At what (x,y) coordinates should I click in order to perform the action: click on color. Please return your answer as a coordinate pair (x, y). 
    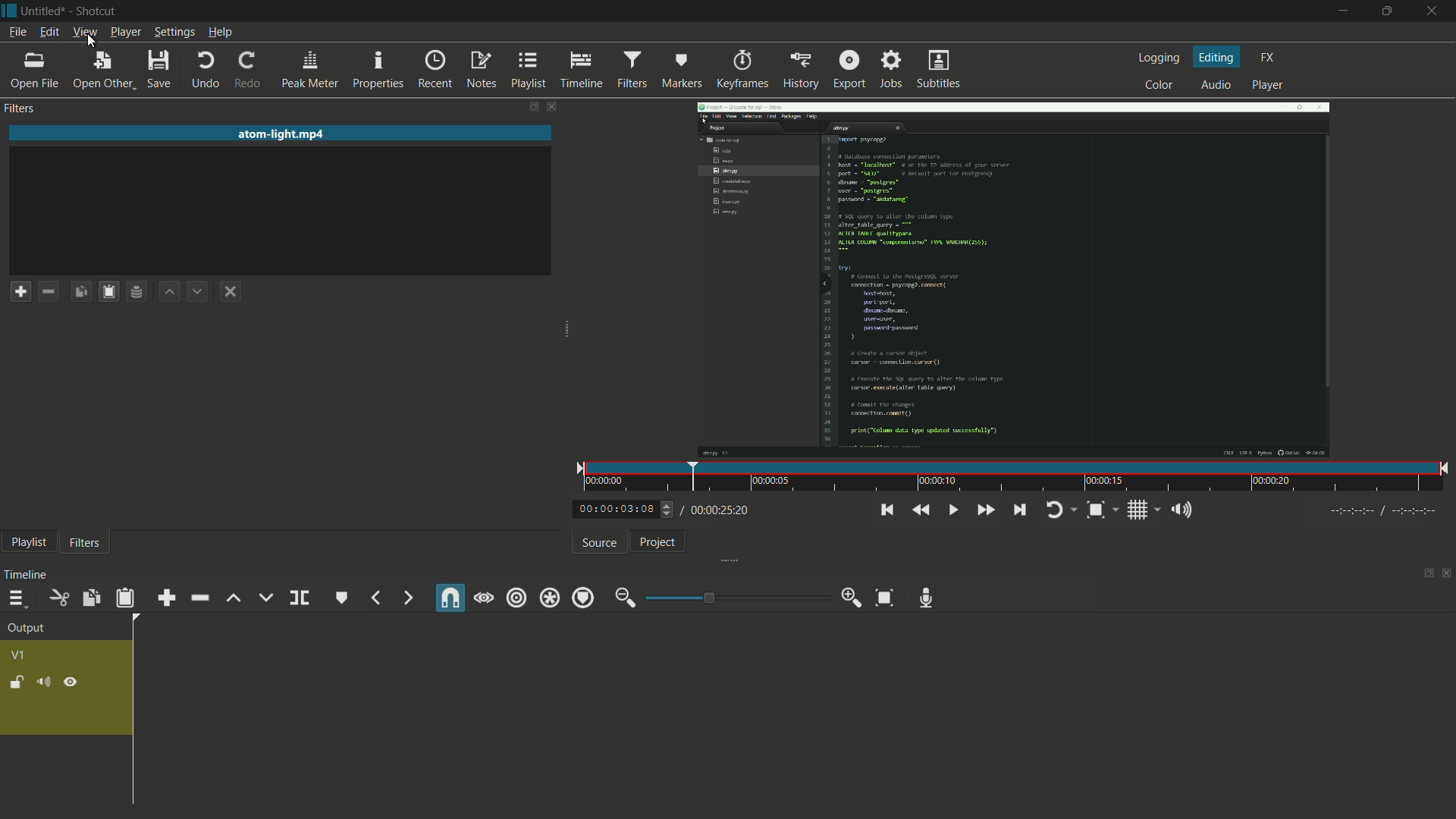
    Looking at the image, I should click on (1157, 86).